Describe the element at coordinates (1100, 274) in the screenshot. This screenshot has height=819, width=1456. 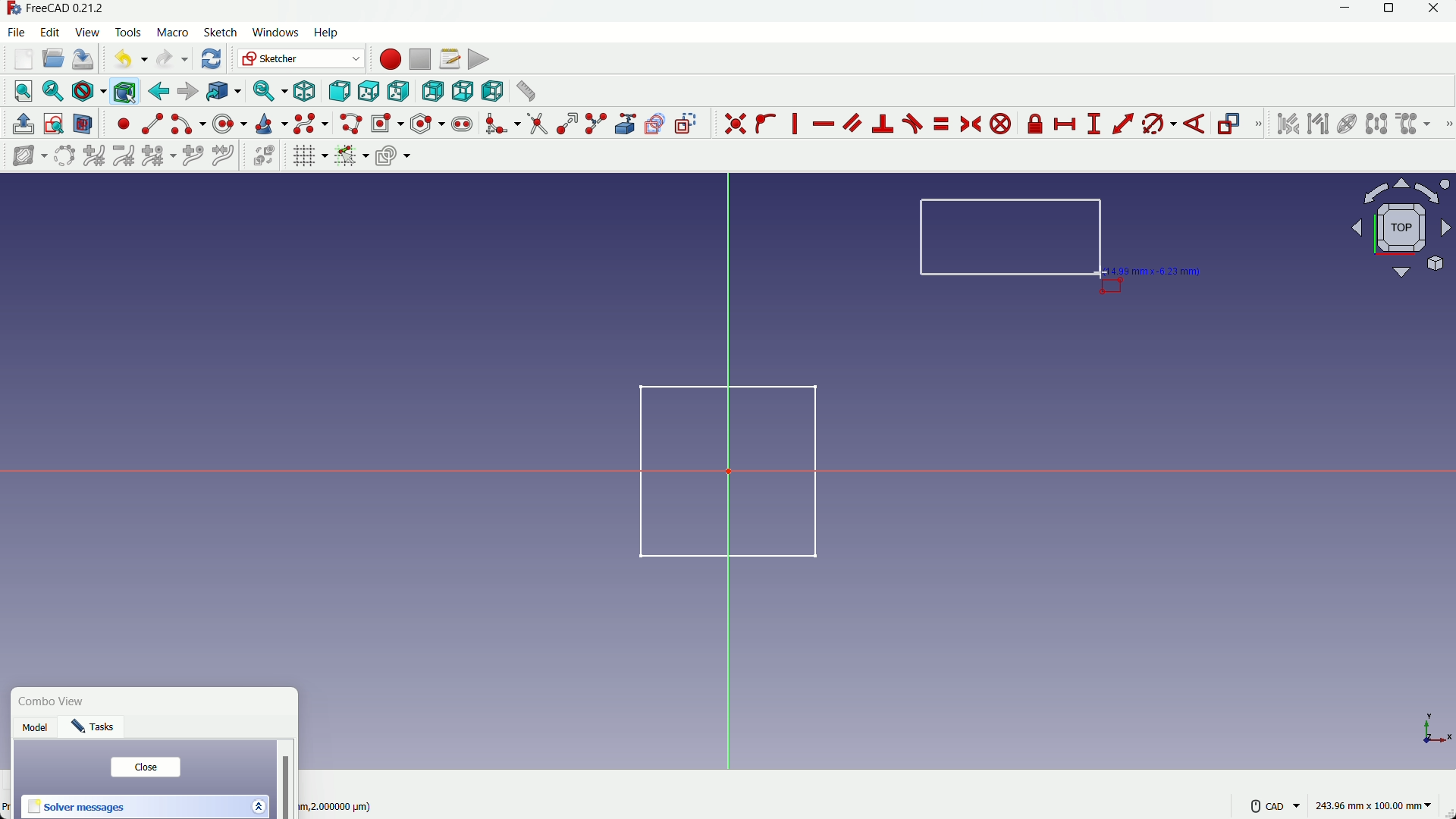
I see `cursor` at that location.